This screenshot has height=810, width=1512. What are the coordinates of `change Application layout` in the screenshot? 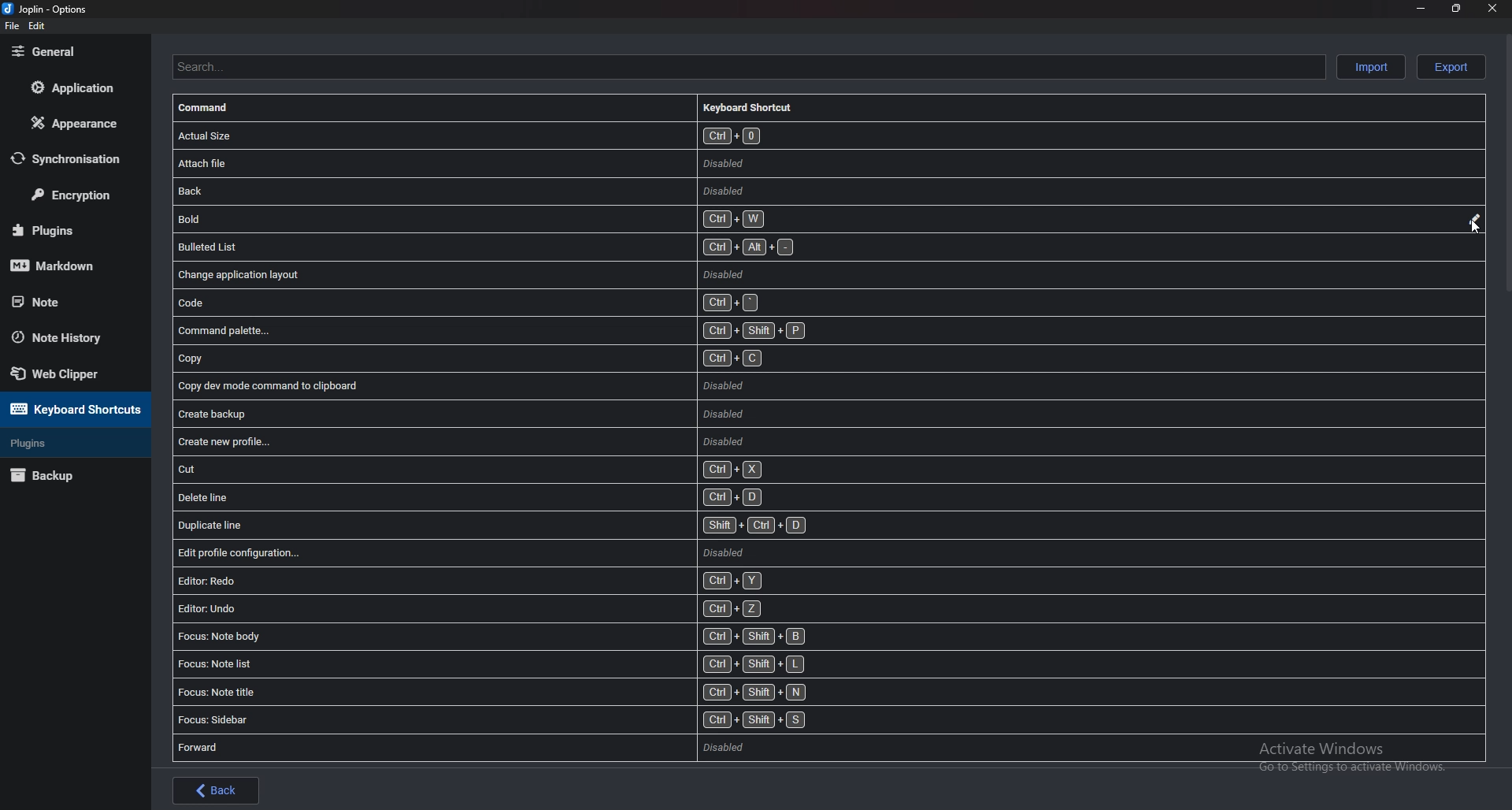 It's located at (564, 273).